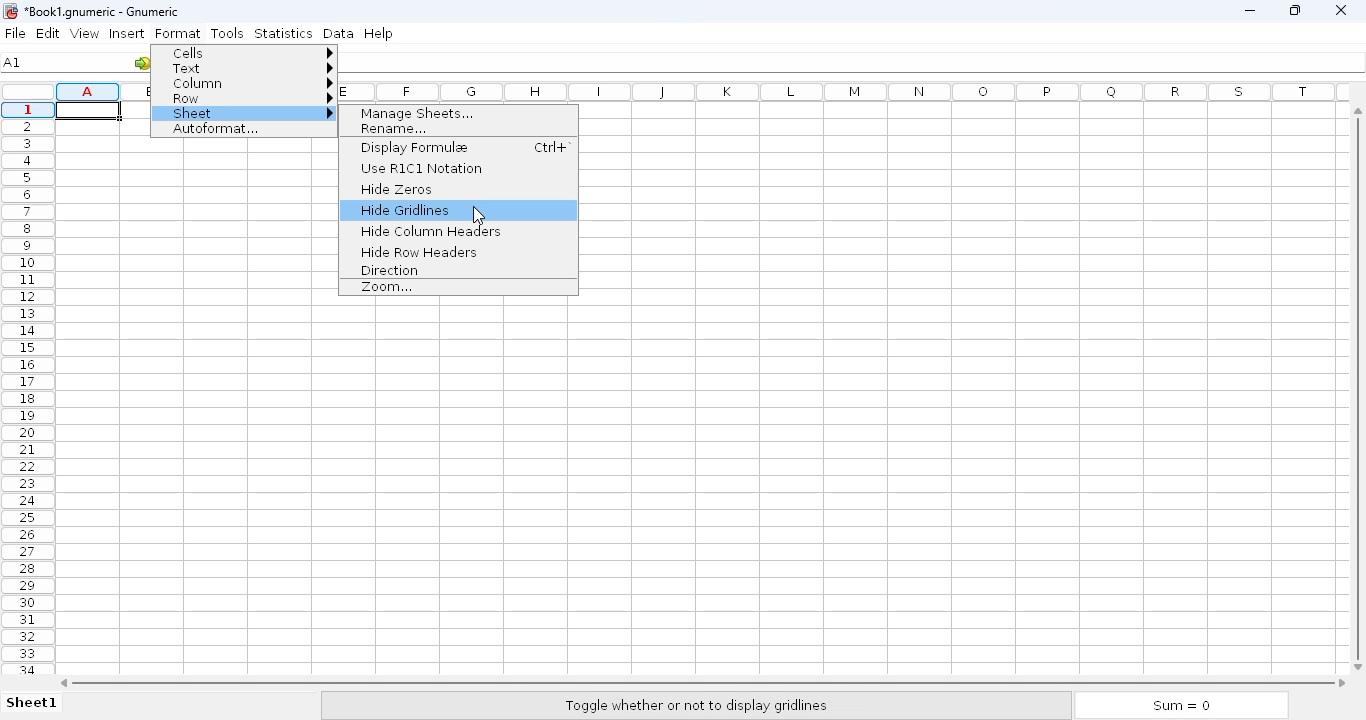  Describe the element at coordinates (248, 68) in the screenshot. I see `text` at that location.